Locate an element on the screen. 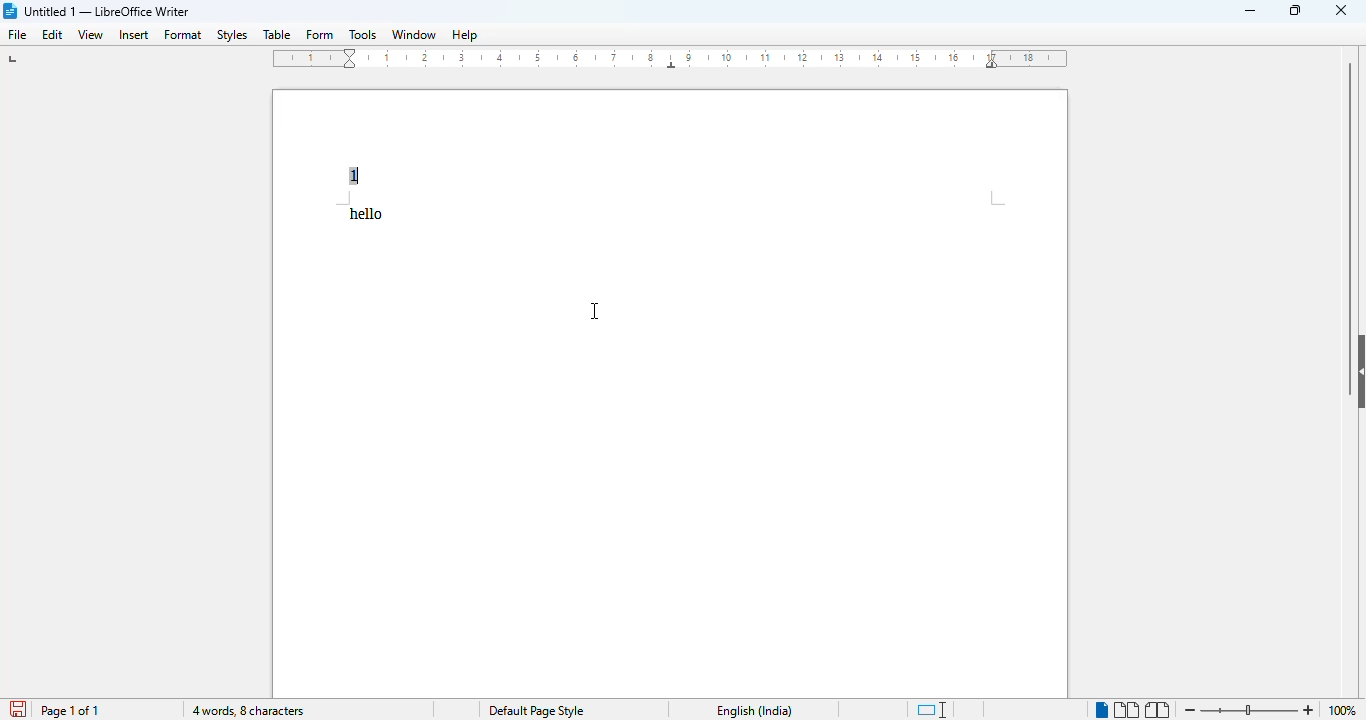 The height and width of the screenshot is (720, 1366). insert is located at coordinates (134, 35).